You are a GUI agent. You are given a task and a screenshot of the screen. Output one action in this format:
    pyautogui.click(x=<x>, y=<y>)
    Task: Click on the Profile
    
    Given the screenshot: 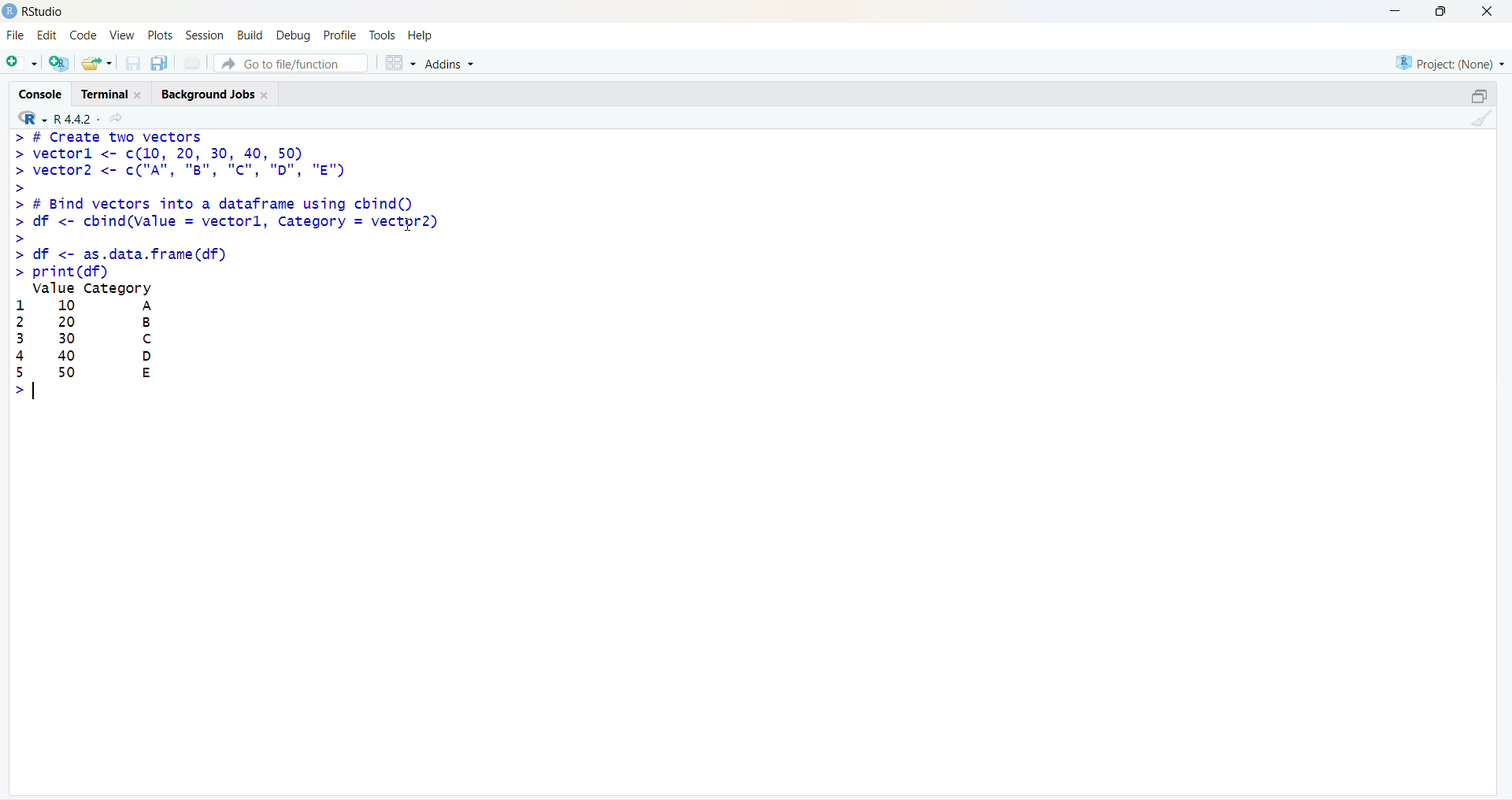 What is the action you would take?
    pyautogui.click(x=339, y=34)
    